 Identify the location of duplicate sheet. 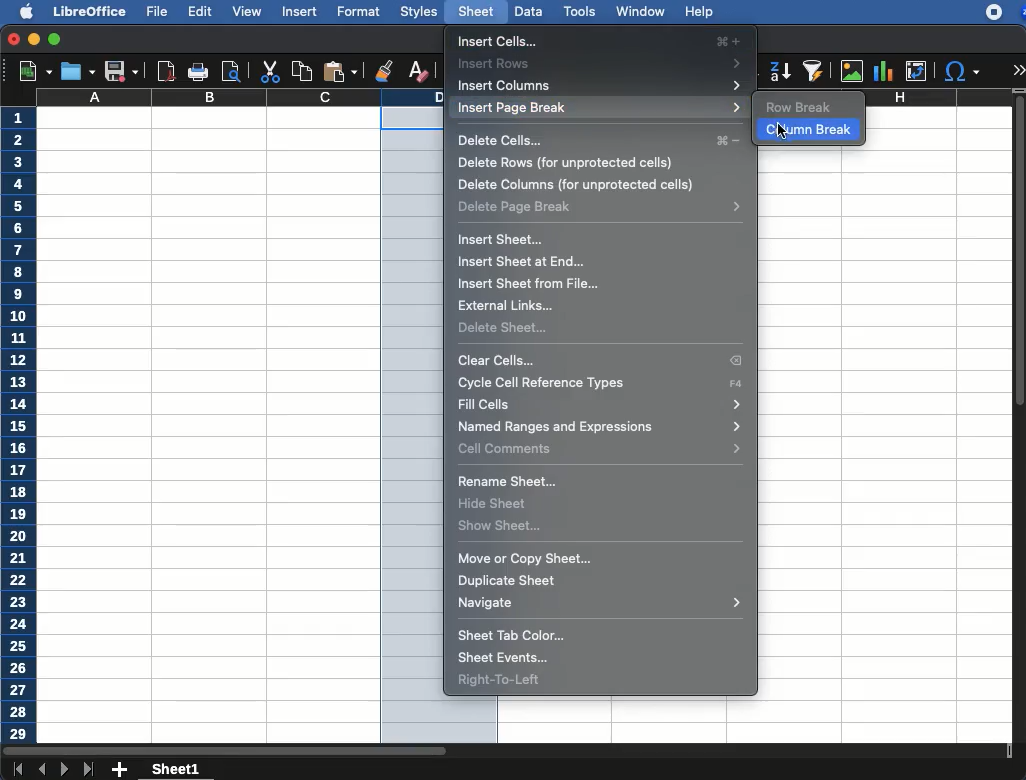
(508, 583).